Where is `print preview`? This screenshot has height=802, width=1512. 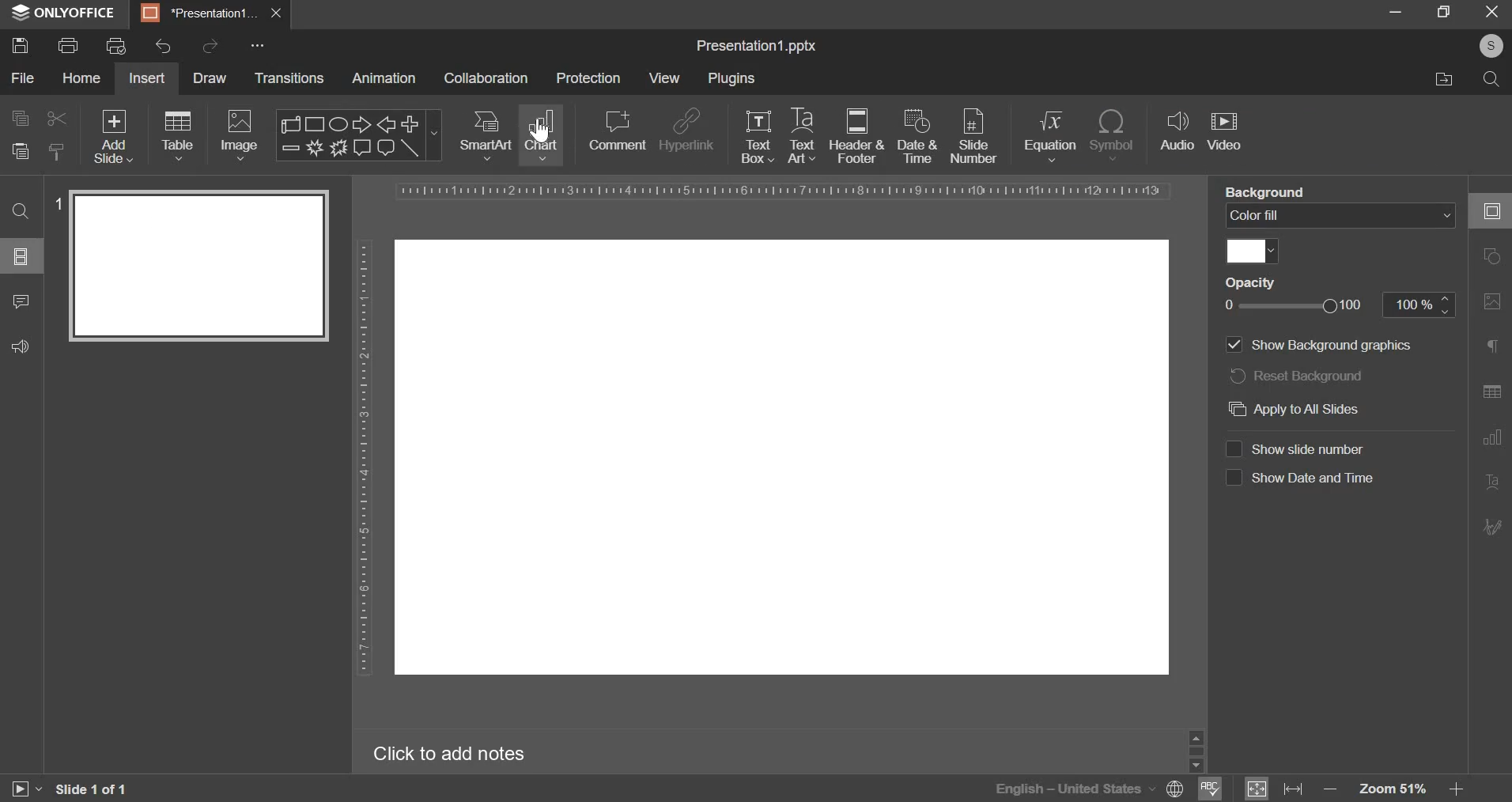 print preview is located at coordinates (116, 45).